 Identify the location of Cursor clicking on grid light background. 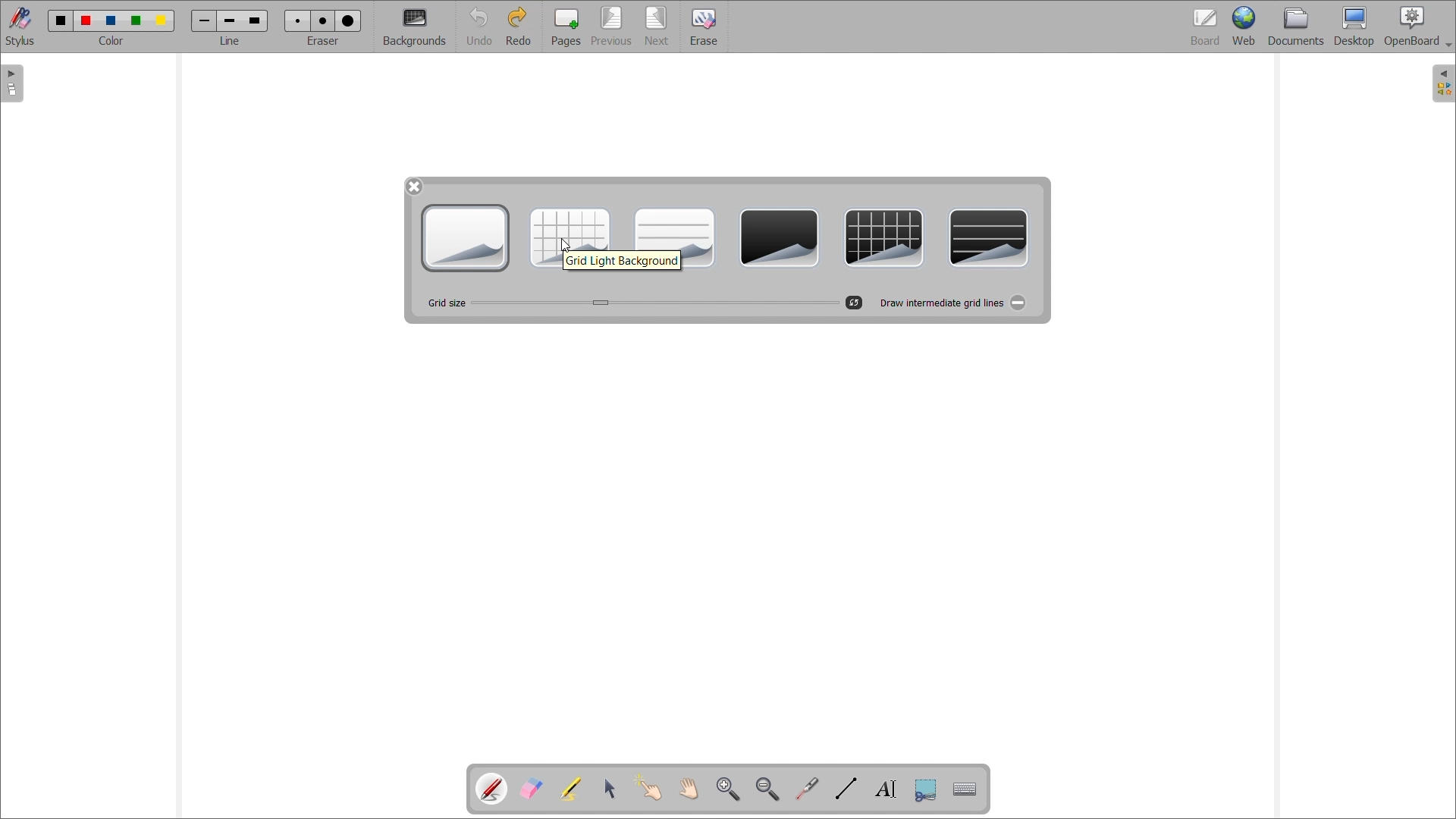
(564, 245).